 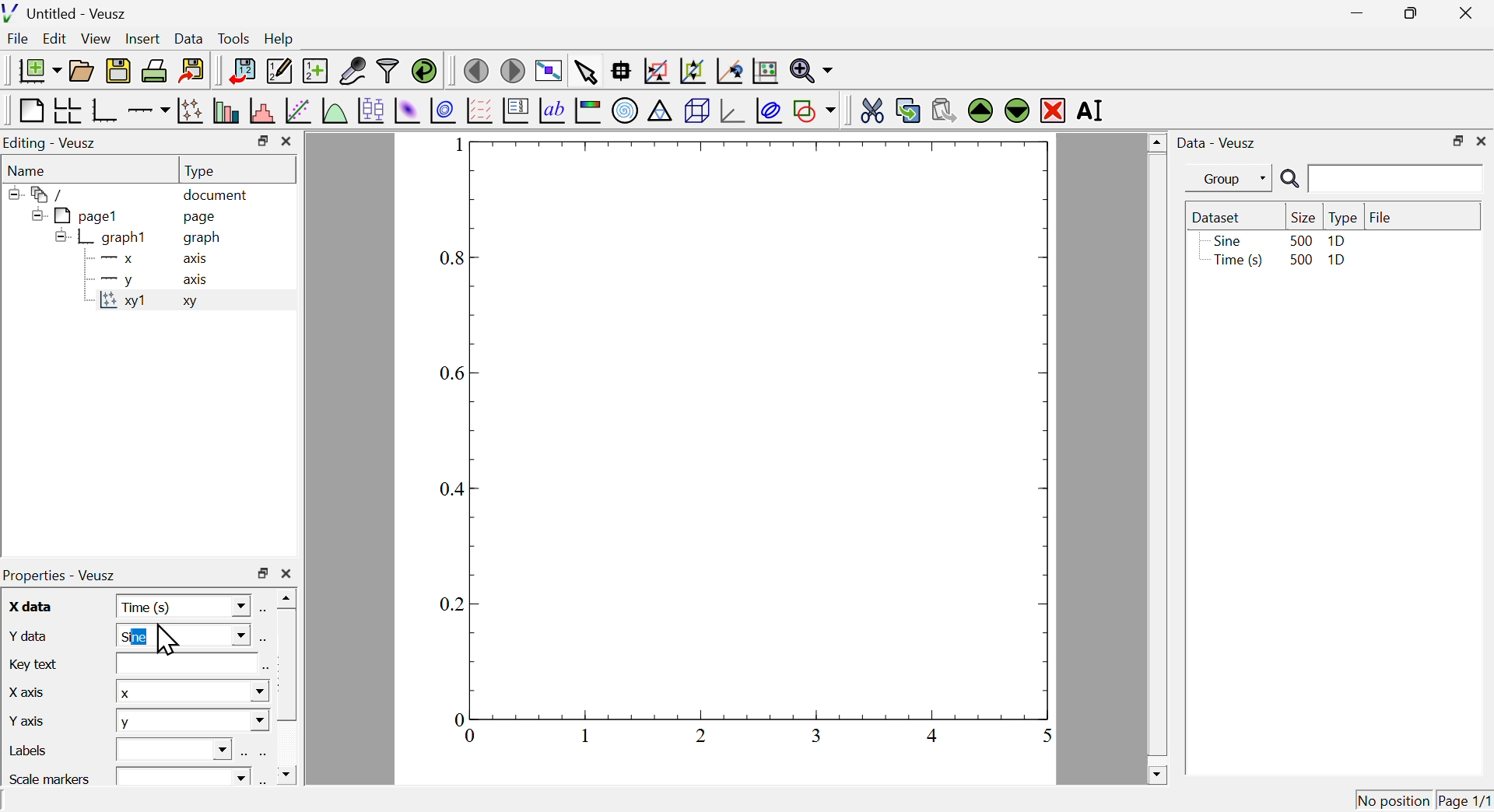 I want to click on 0.2, so click(x=585, y=736).